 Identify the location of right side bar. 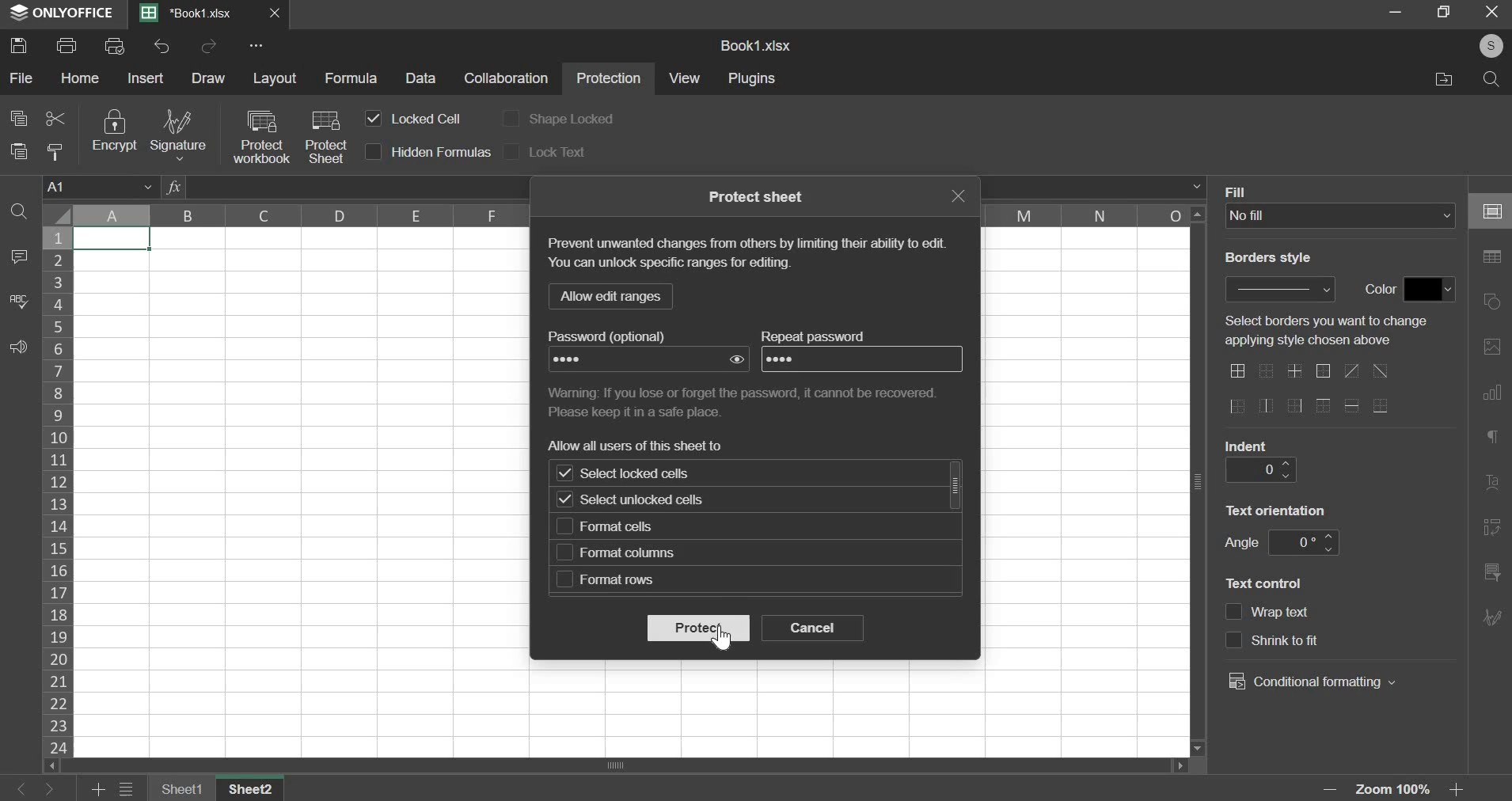
(1494, 257).